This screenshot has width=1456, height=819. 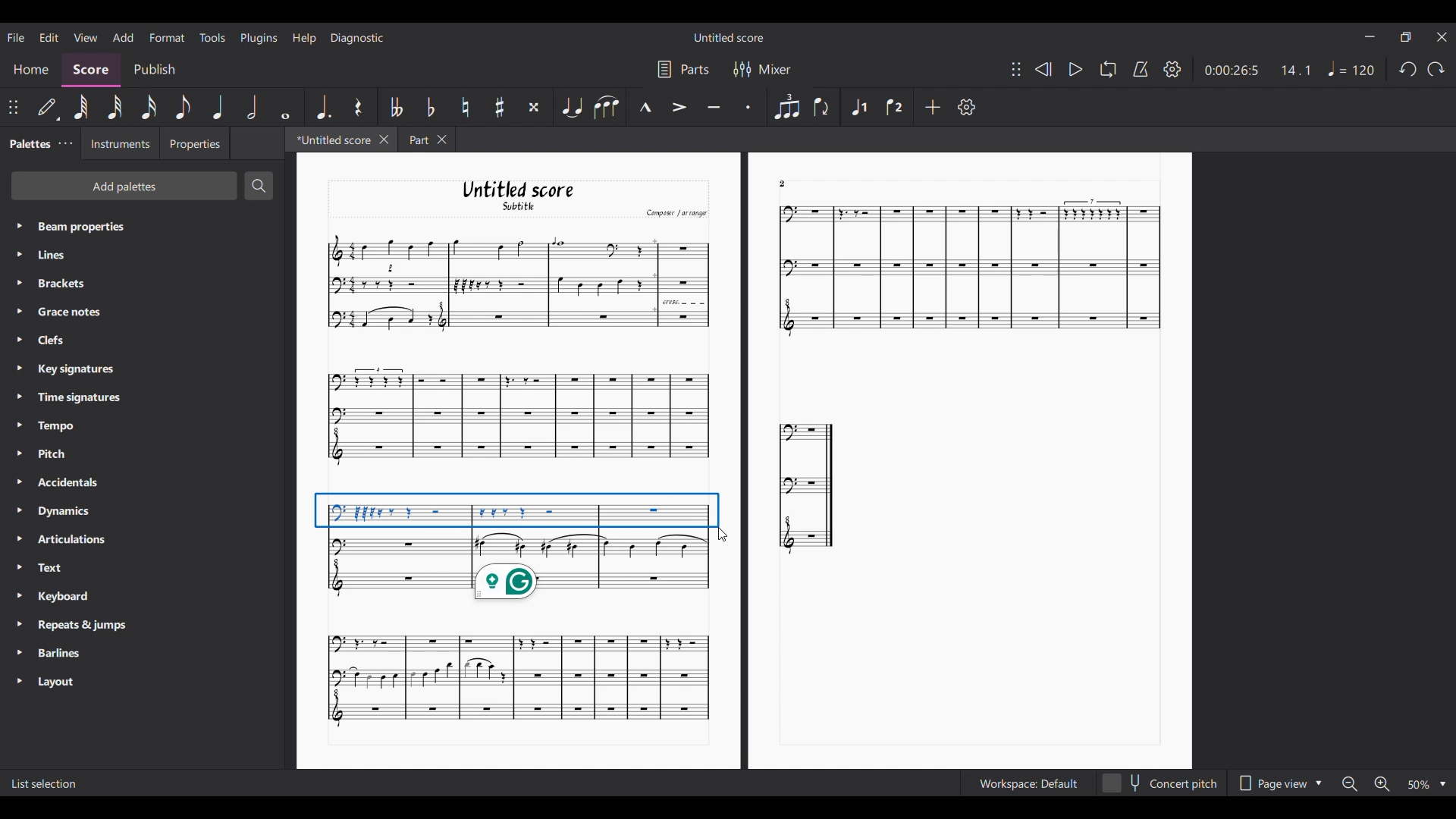 I want to click on > Beam properties, so click(x=72, y=226).